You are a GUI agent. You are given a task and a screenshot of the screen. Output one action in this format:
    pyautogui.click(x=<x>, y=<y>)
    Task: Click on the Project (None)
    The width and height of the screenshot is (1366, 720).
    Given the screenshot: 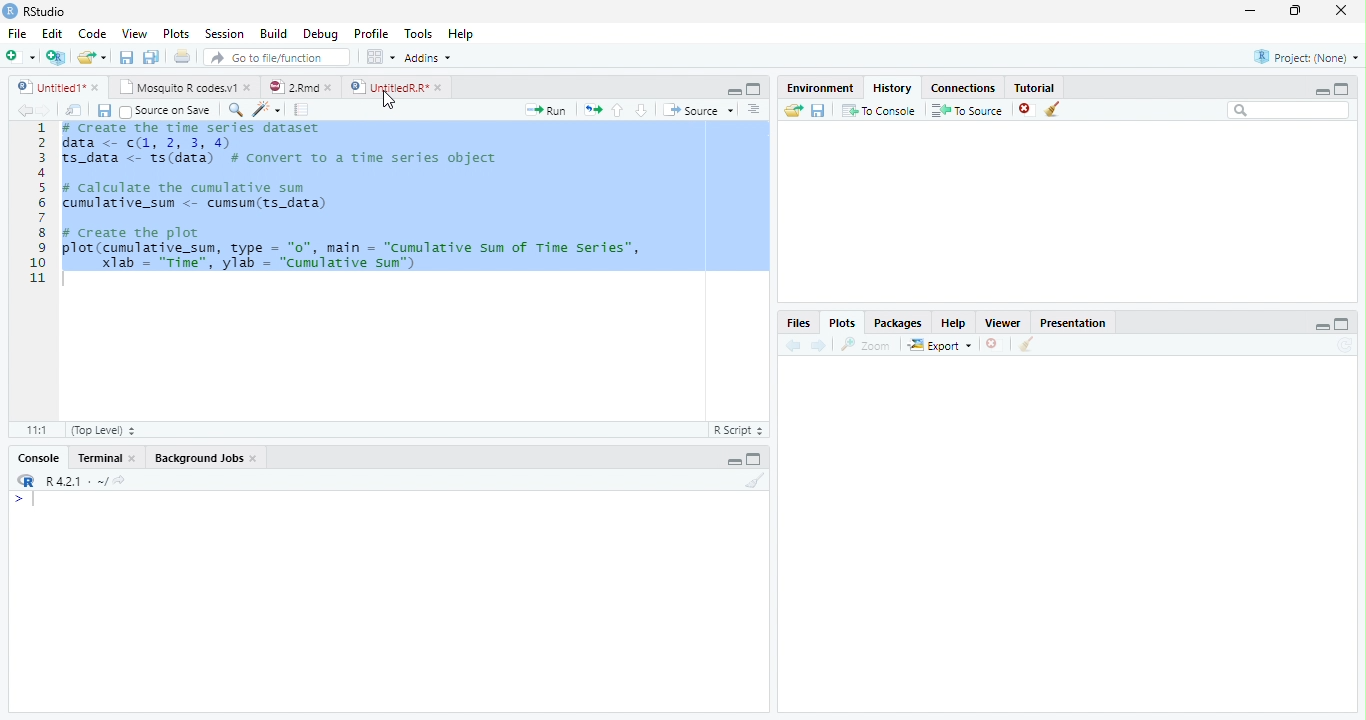 What is the action you would take?
    pyautogui.click(x=1307, y=57)
    